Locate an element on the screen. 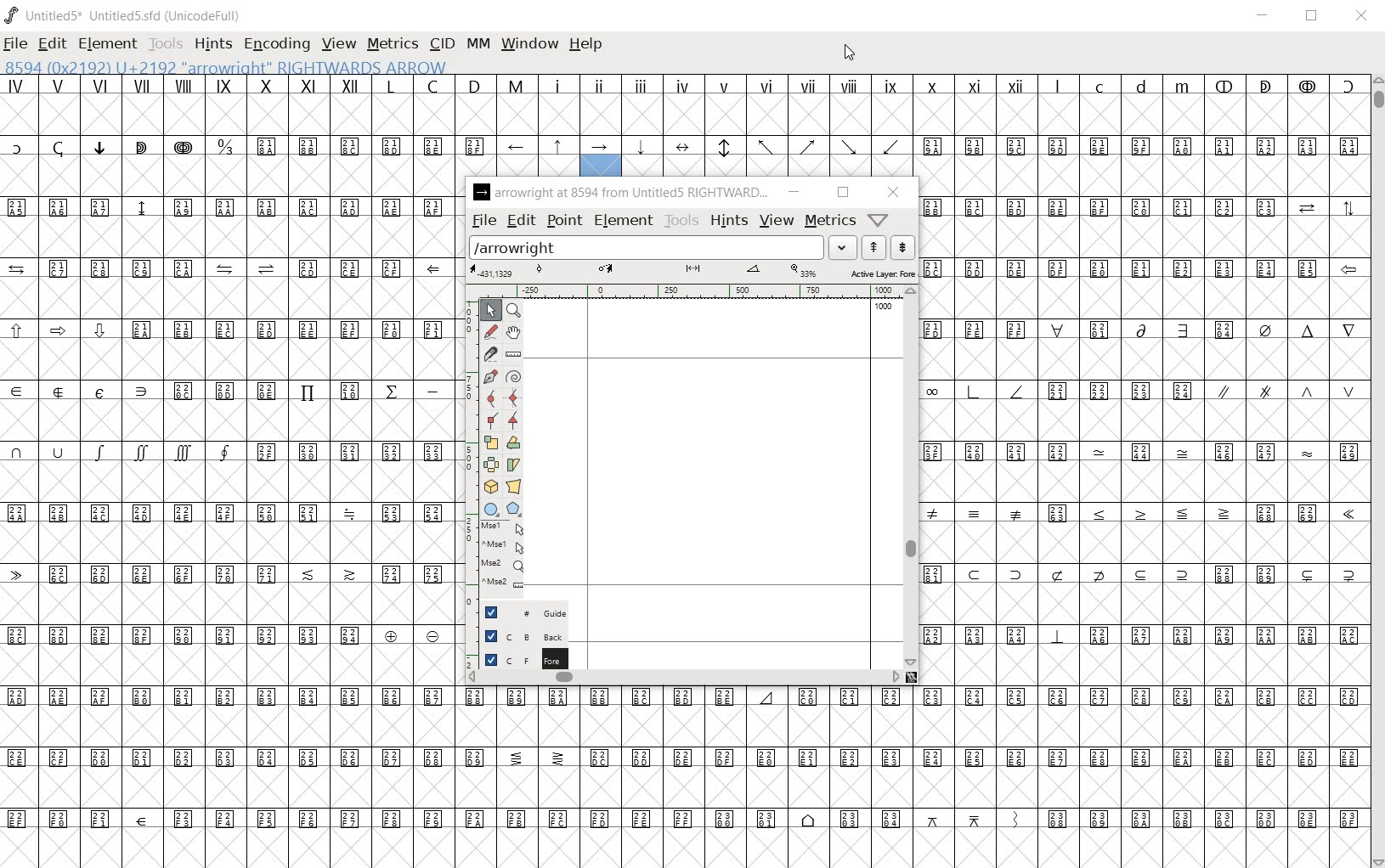  HINTS is located at coordinates (211, 43).